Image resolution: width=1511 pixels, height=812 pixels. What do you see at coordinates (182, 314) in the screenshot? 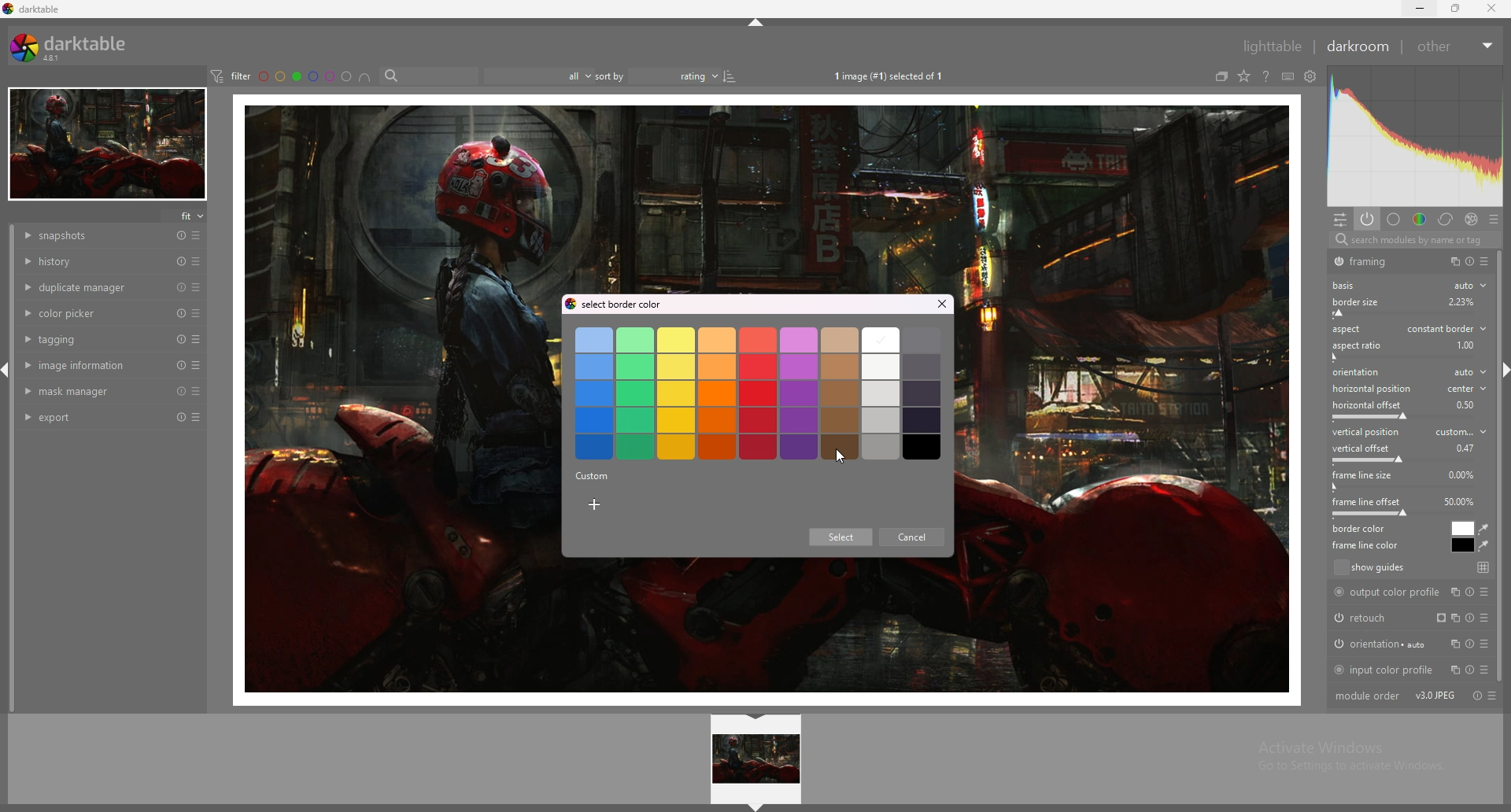
I see `reset` at bounding box center [182, 314].